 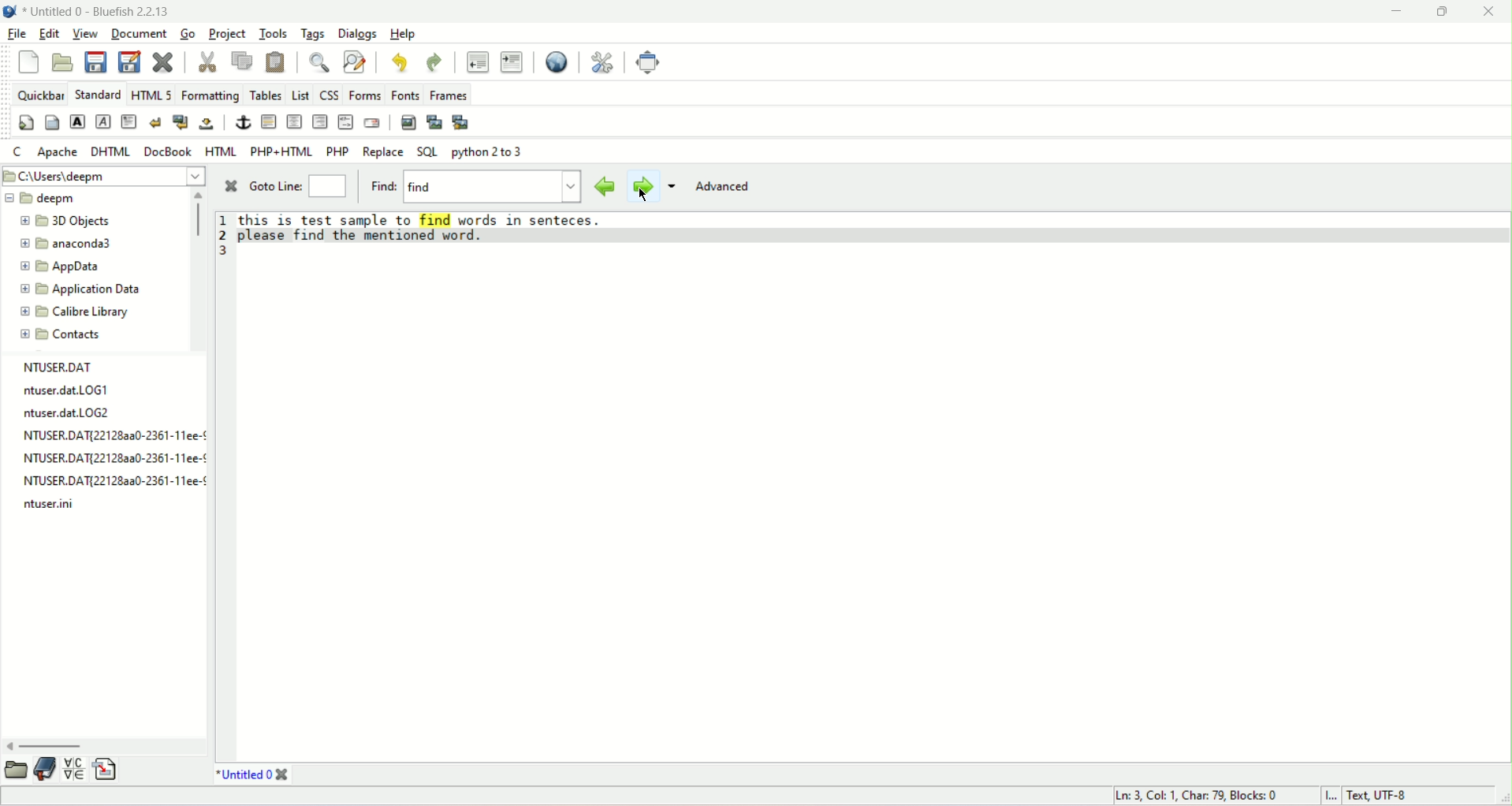 What do you see at coordinates (1196, 797) in the screenshot?
I see `ln, col, char, blocks` at bounding box center [1196, 797].